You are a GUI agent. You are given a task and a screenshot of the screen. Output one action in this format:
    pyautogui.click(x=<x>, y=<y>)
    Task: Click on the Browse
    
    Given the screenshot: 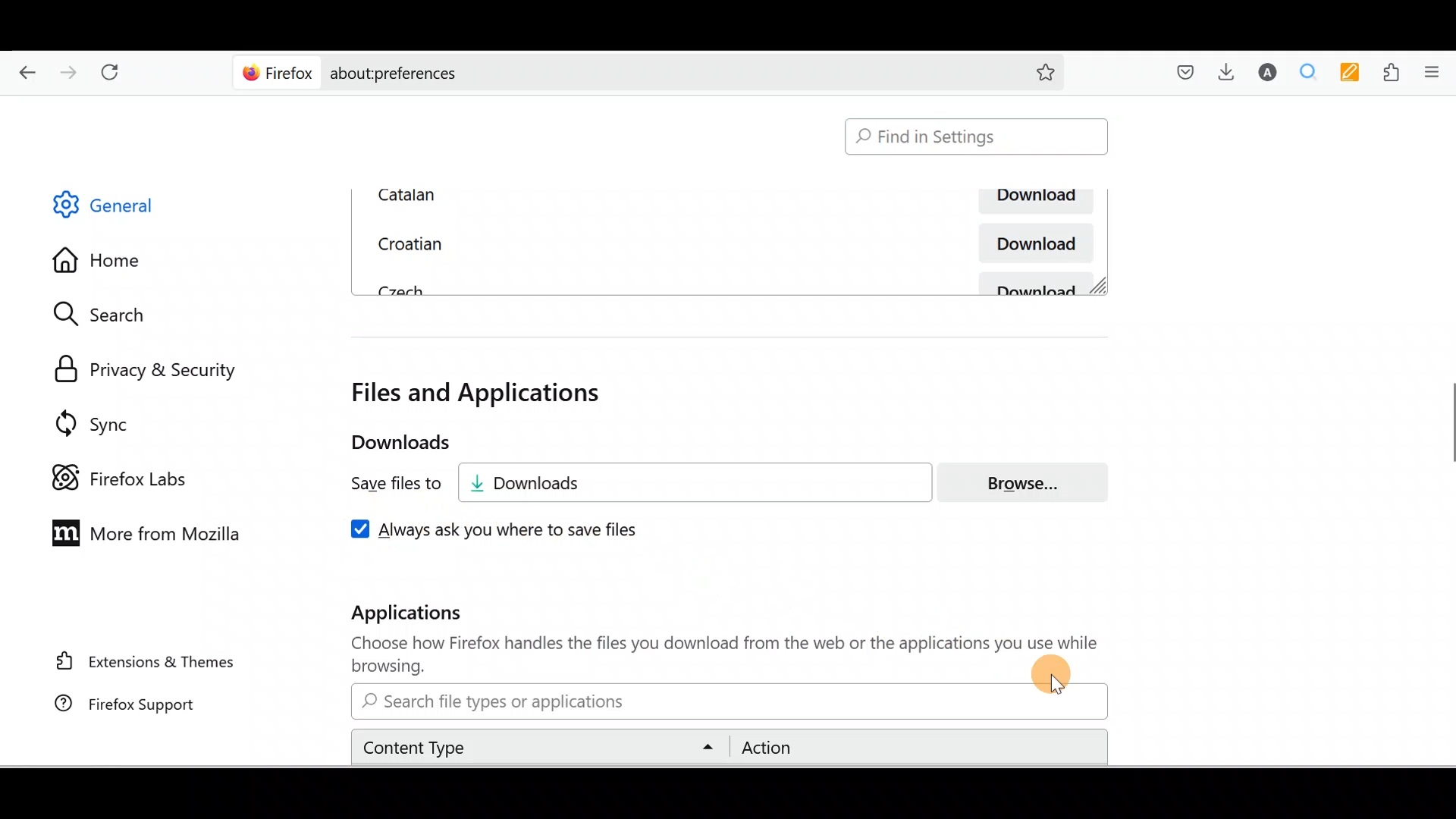 What is the action you would take?
    pyautogui.click(x=1032, y=482)
    